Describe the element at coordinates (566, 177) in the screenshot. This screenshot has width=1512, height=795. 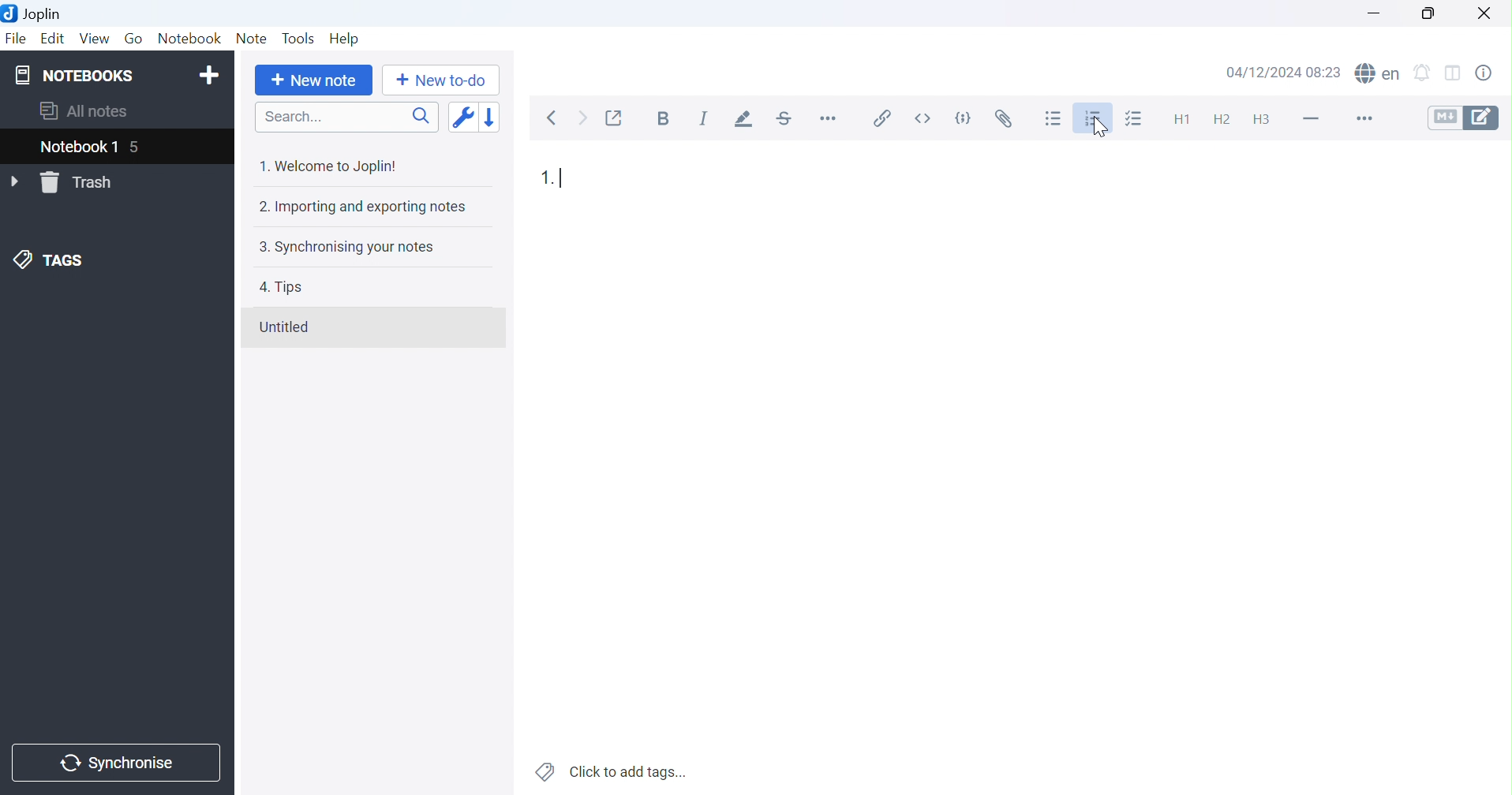
I see `Typing cursor` at that location.